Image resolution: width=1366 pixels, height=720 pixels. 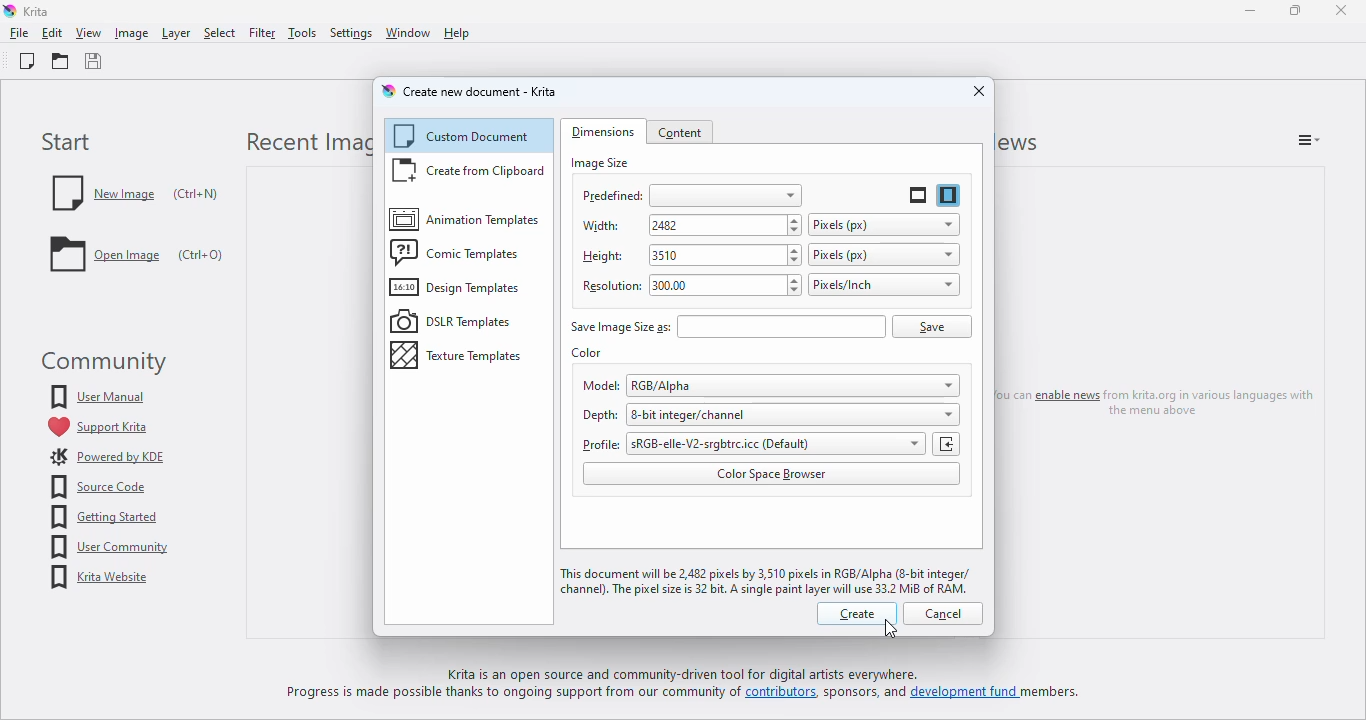 What do you see at coordinates (599, 163) in the screenshot?
I see `image size` at bounding box center [599, 163].